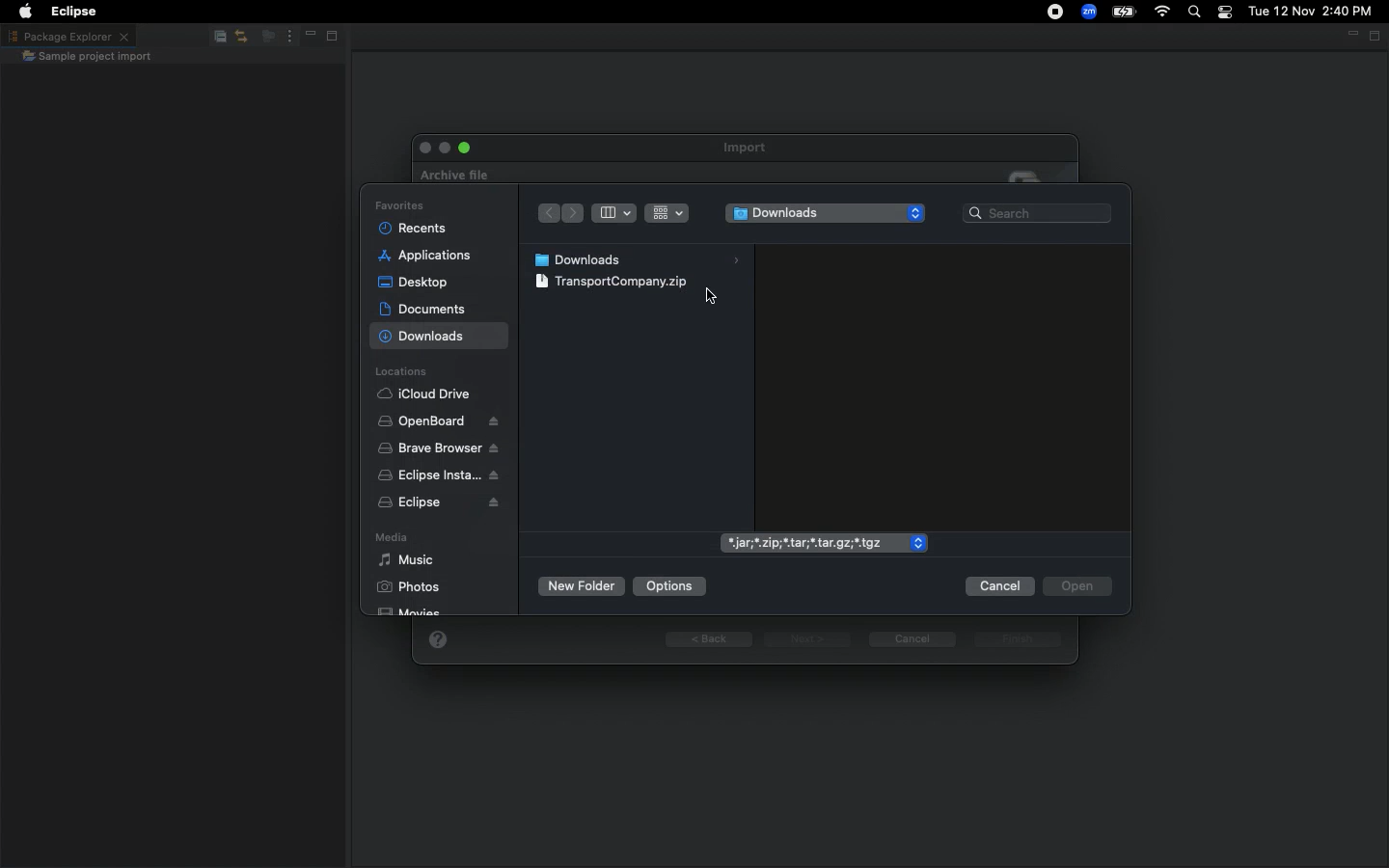 The height and width of the screenshot is (868, 1389). I want to click on Photo, so click(403, 589).